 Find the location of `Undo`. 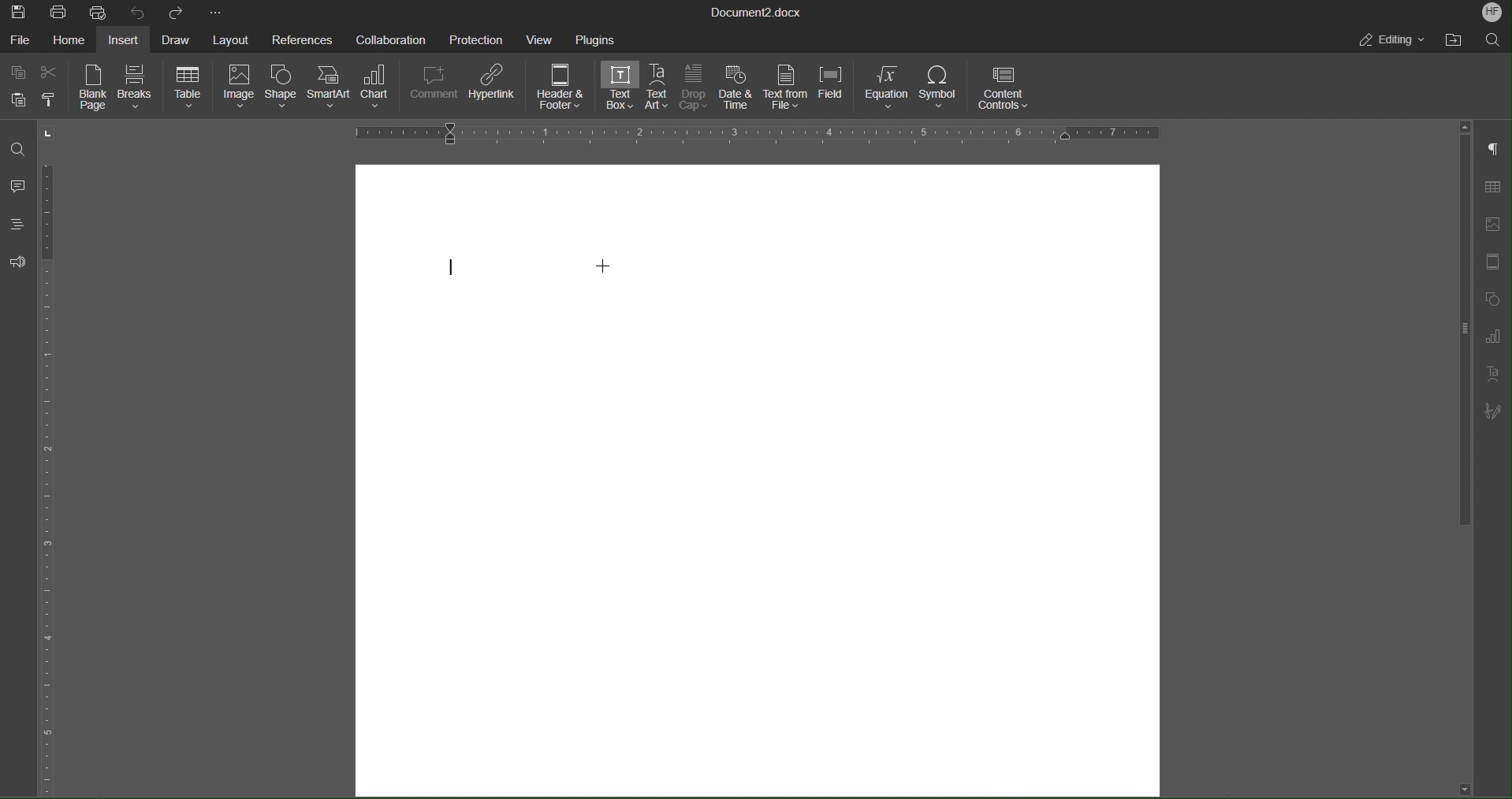

Undo is located at coordinates (136, 12).